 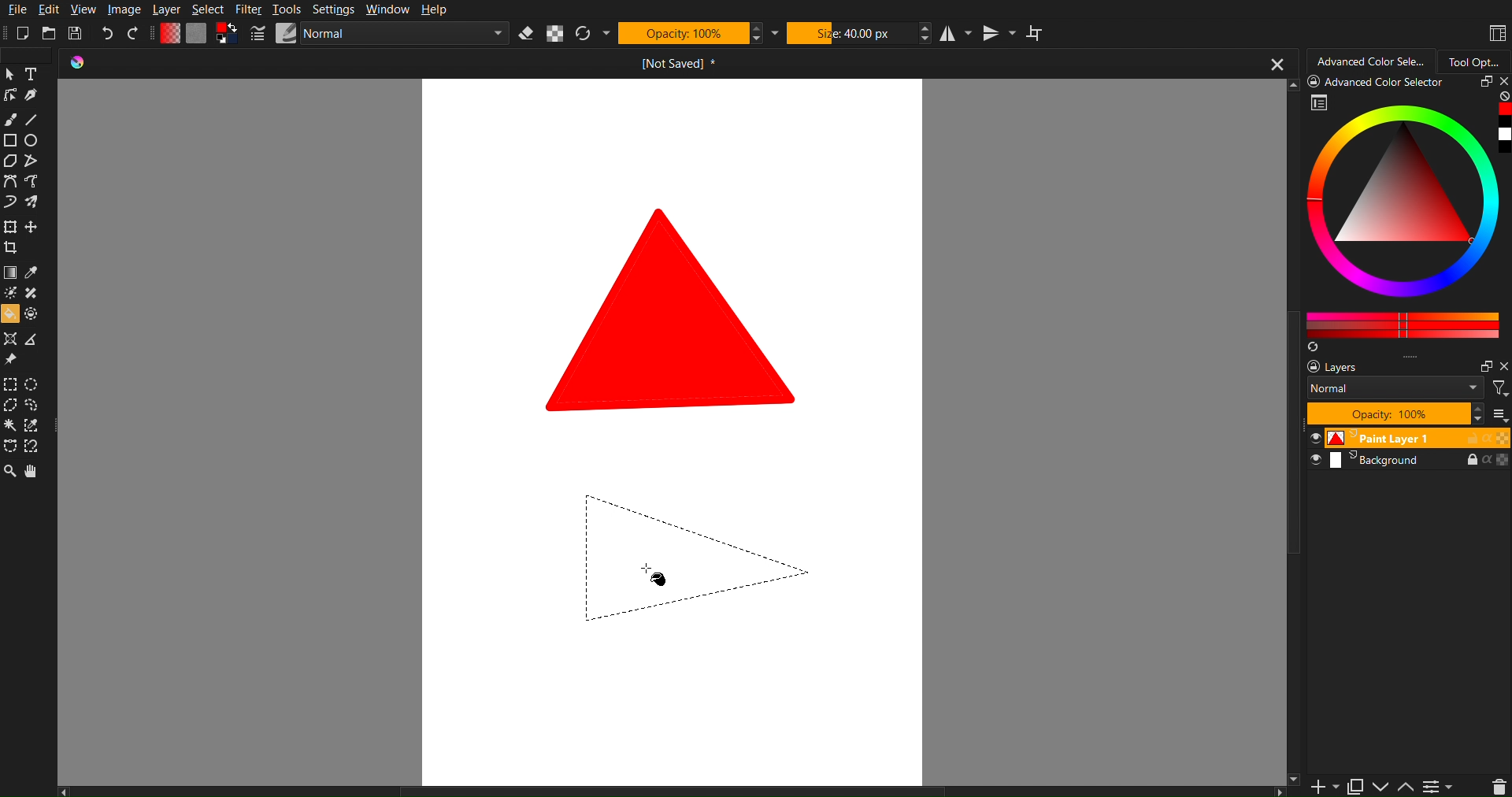 What do you see at coordinates (9, 428) in the screenshot?
I see `wind` at bounding box center [9, 428].